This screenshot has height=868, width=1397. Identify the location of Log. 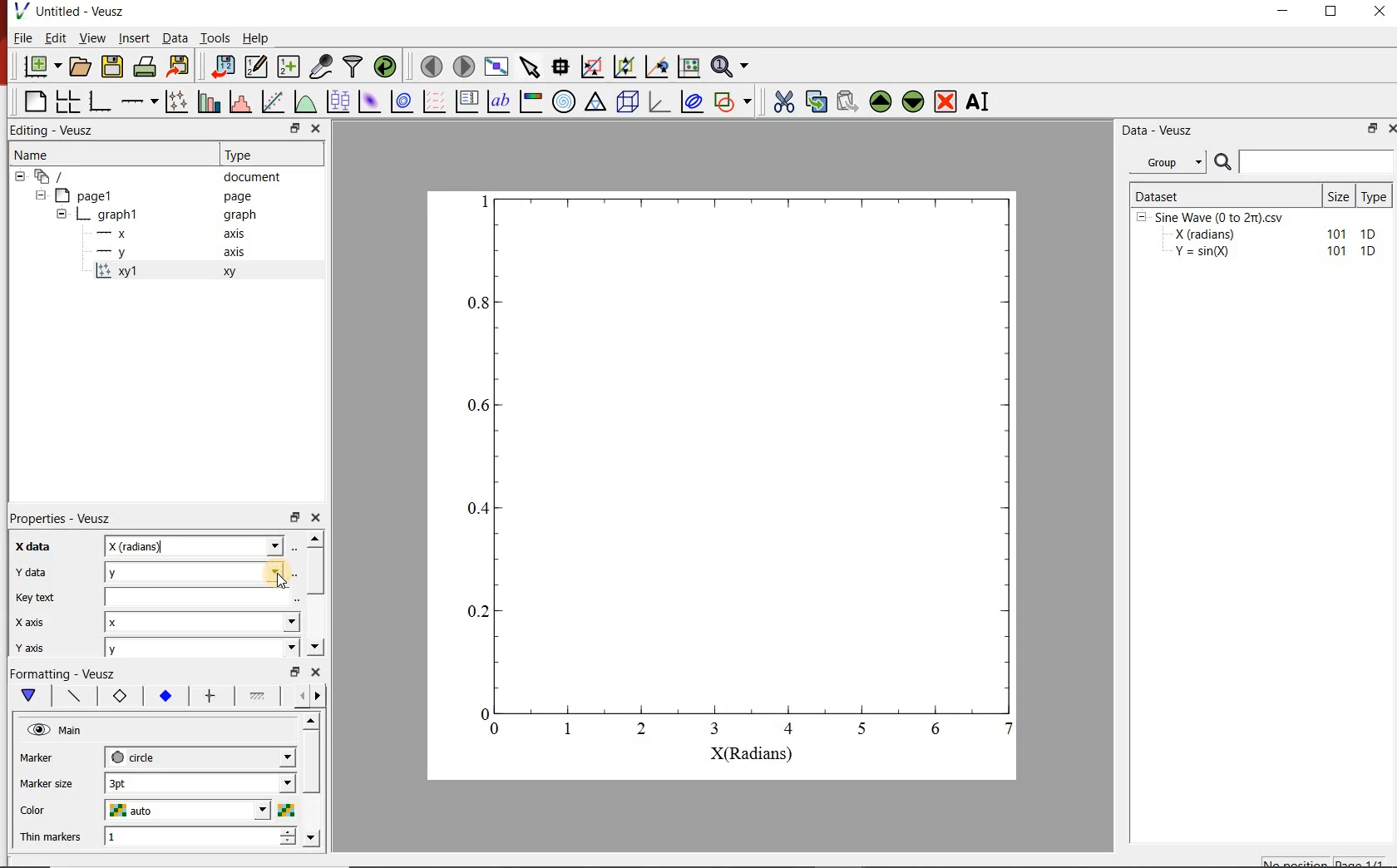
(28, 620).